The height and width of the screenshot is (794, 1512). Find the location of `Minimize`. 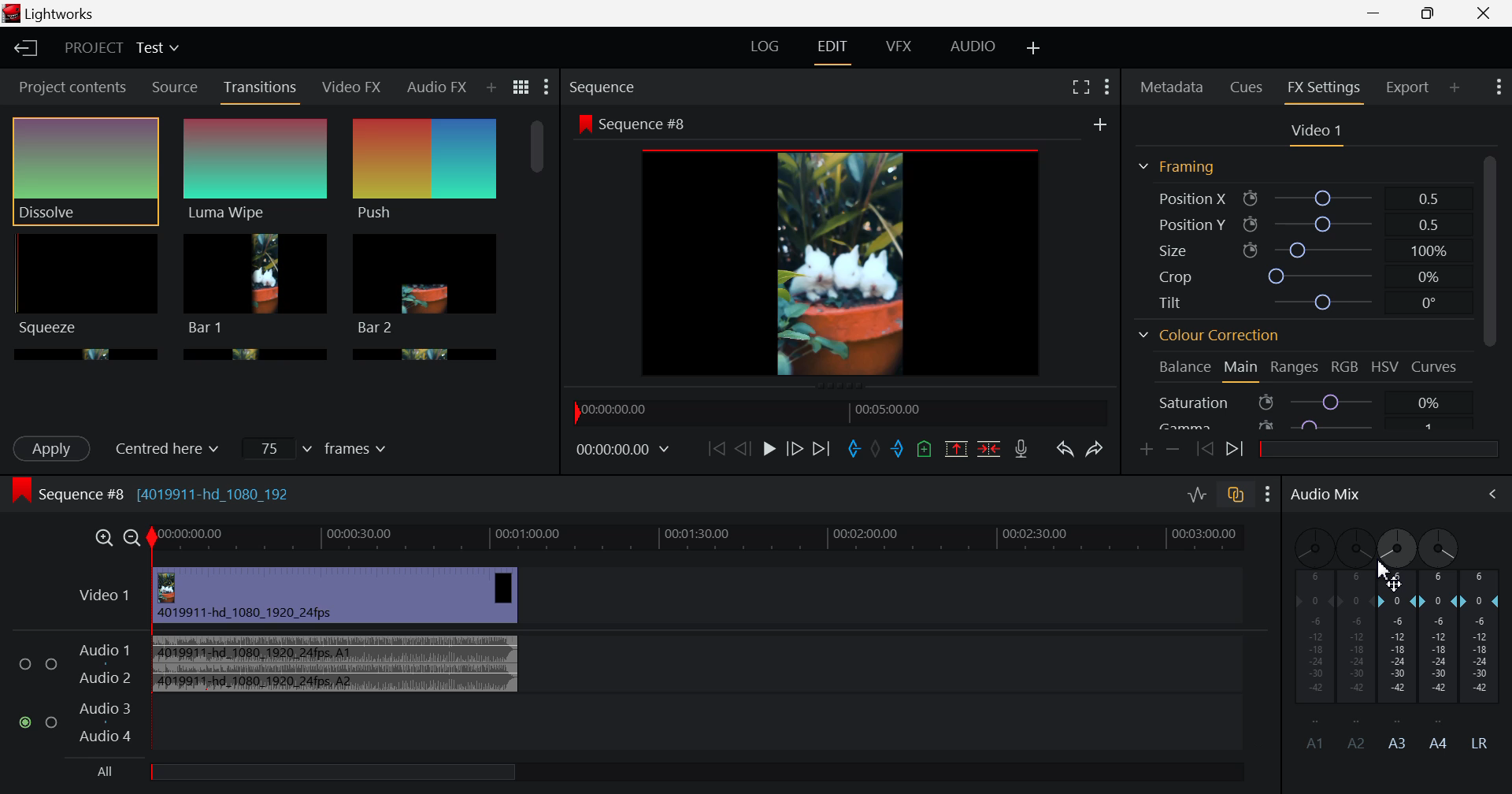

Minimize is located at coordinates (1432, 13).